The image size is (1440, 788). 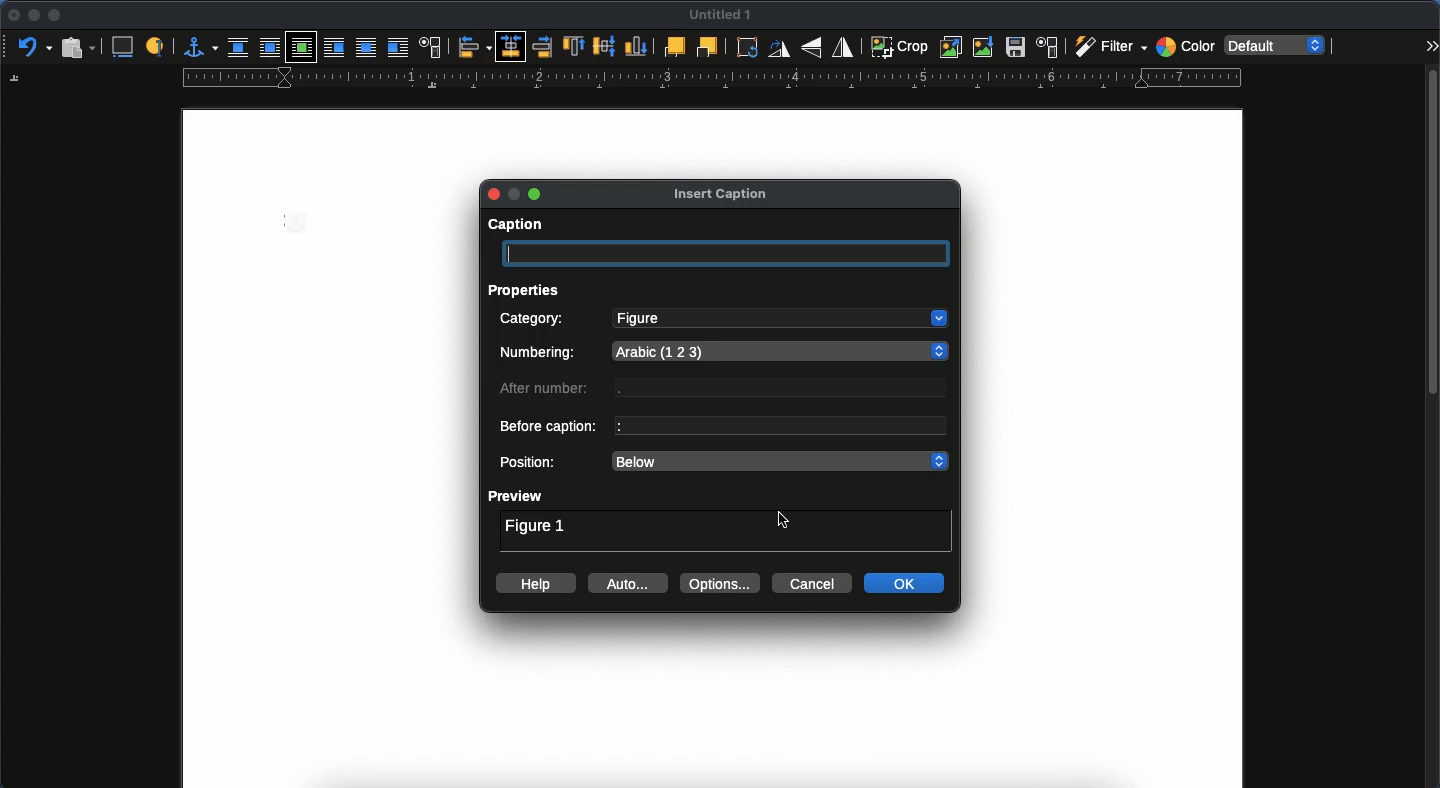 I want to click on insert caption, so click(x=123, y=47).